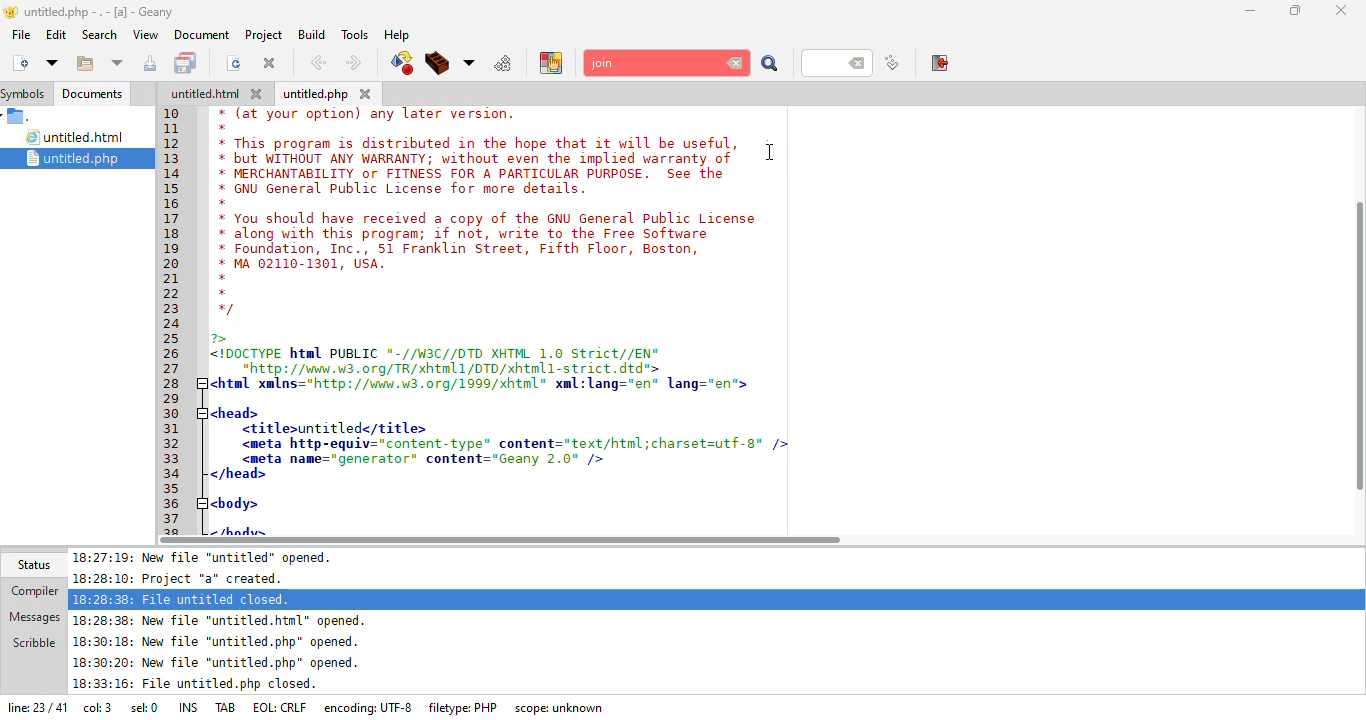  I want to click on join, so click(656, 63).